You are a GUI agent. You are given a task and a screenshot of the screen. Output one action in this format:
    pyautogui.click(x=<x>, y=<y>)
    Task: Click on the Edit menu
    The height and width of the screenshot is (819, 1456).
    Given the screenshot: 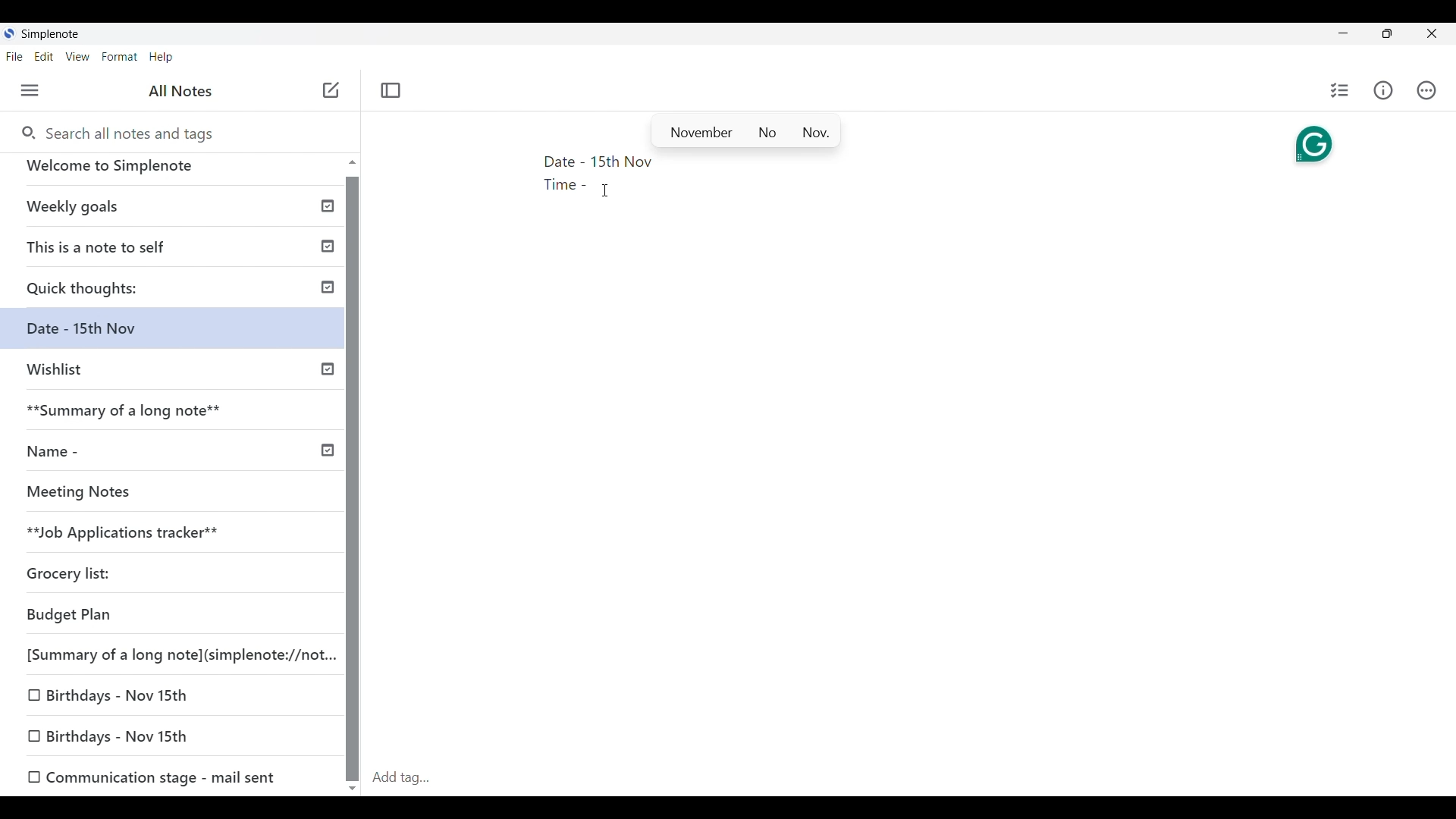 What is the action you would take?
    pyautogui.click(x=44, y=56)
    